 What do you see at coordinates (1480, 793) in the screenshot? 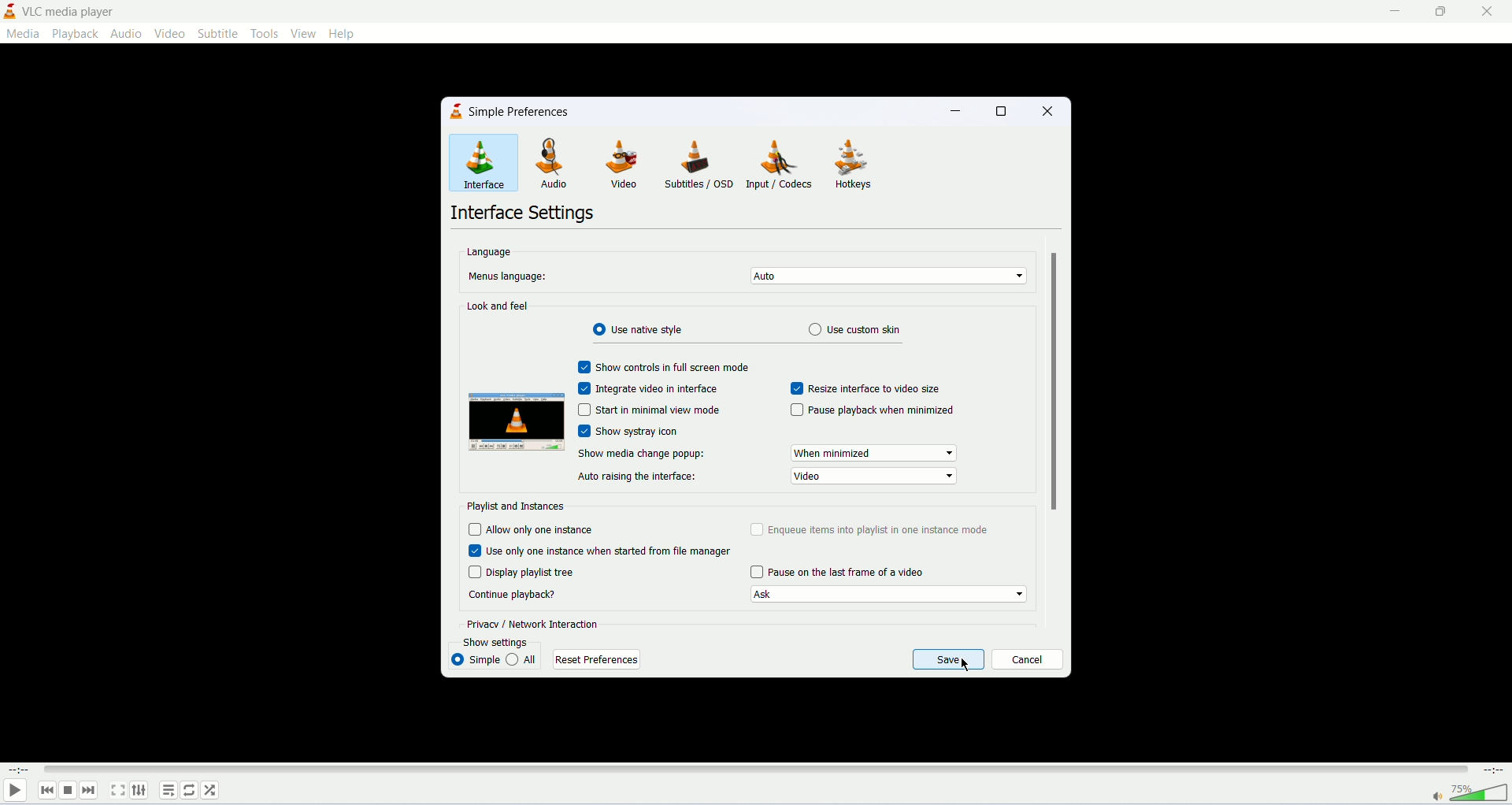
I see `volume bar` at bounding box center [1480, 793].